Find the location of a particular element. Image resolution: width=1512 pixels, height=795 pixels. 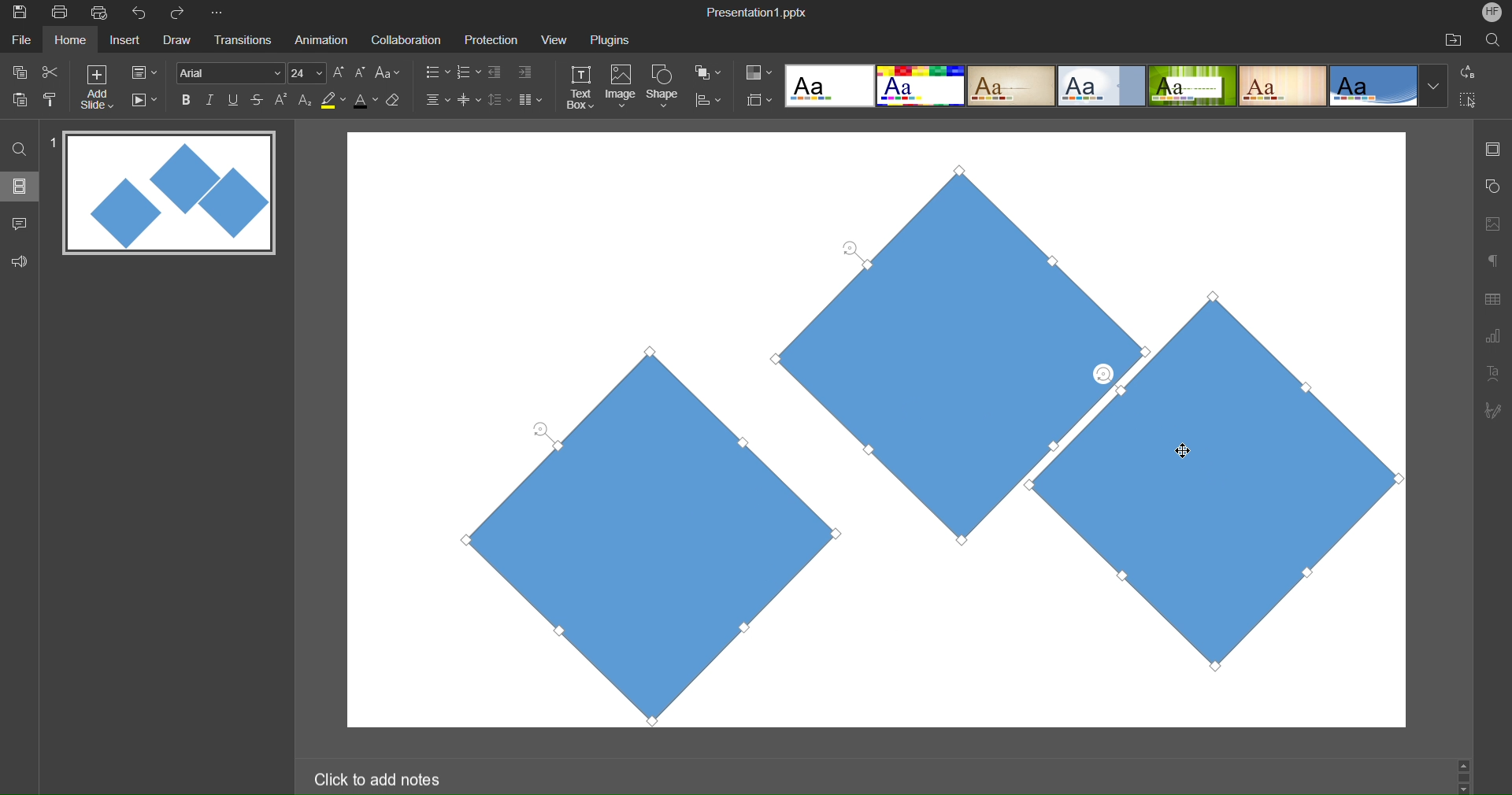

Image Settings is located at coordinates (1490, 224).